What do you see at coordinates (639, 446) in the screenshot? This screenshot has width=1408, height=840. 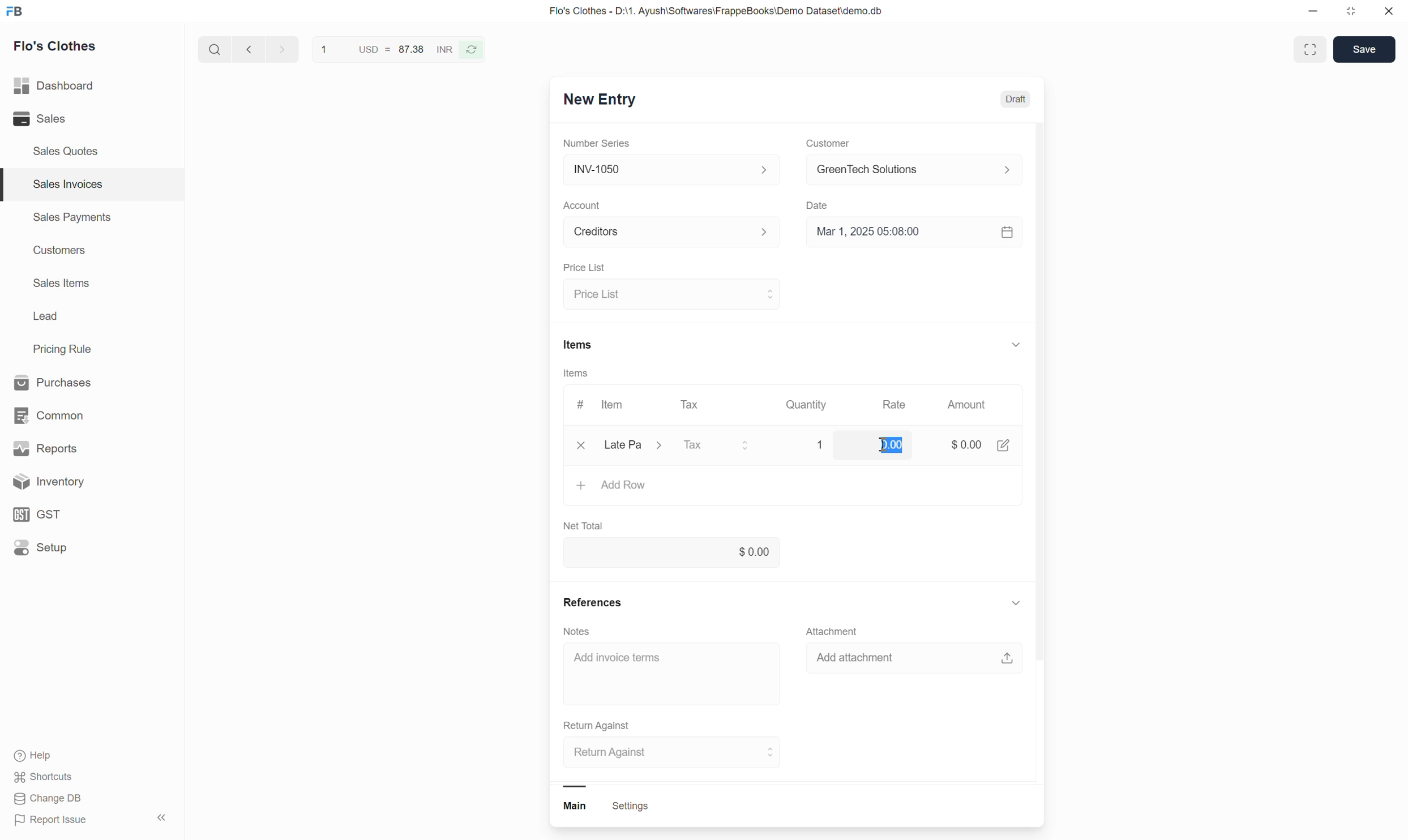 I see `Select item` at bounding box center [639, 446].